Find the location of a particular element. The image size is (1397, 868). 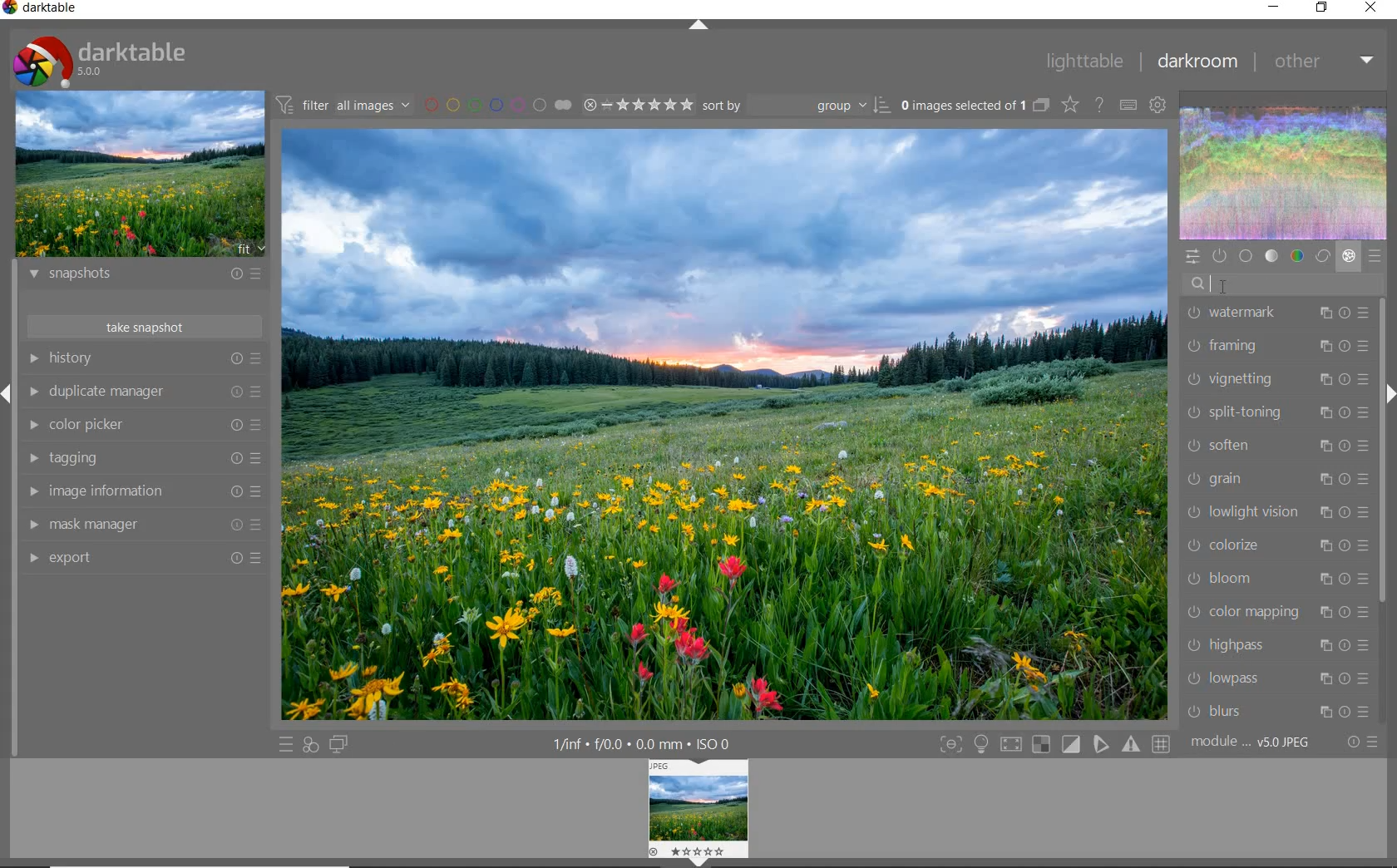

color is located at coordinates (1298, 254).